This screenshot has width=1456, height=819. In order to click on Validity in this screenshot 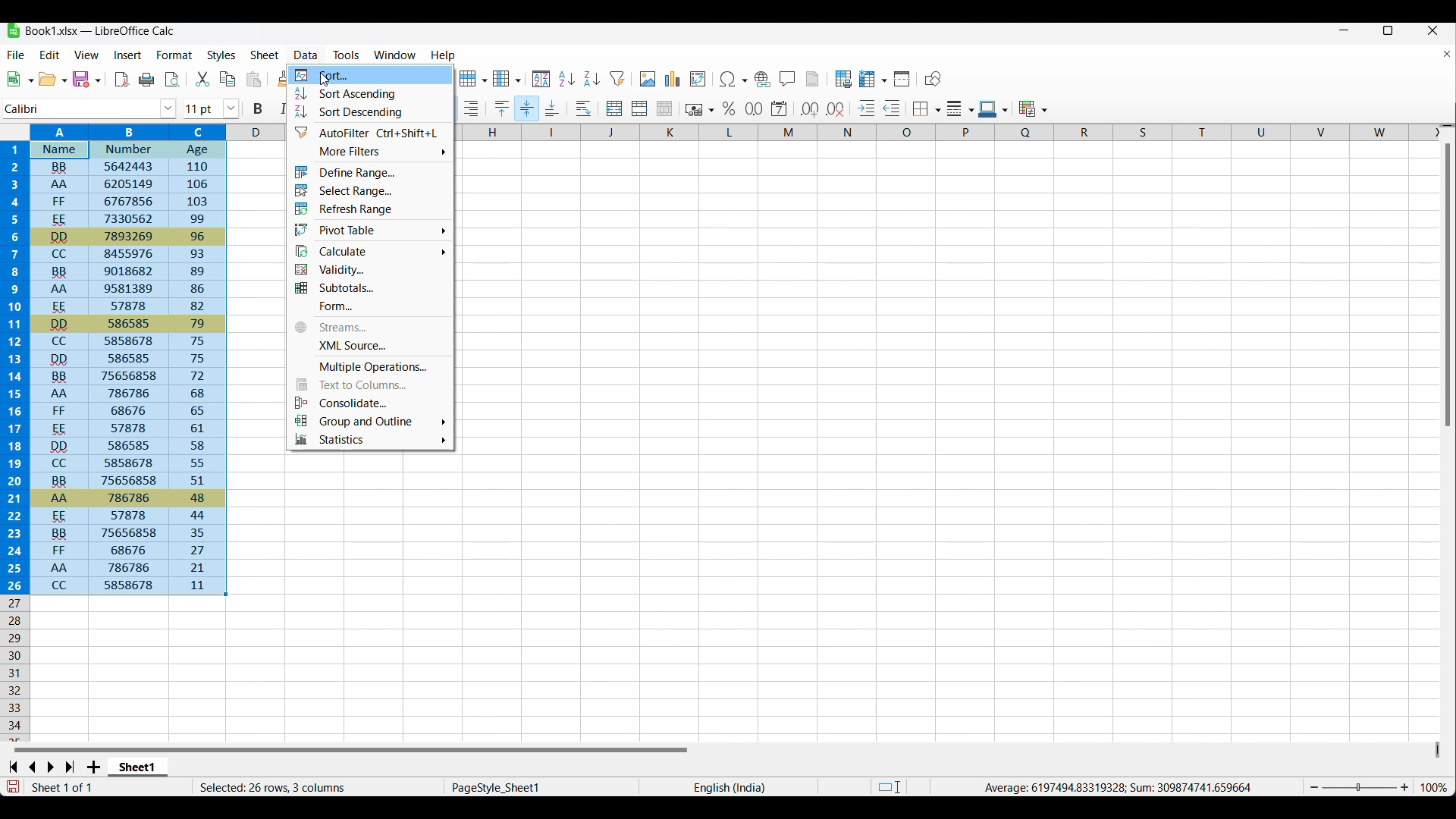, I will do `click(370, 270)`.